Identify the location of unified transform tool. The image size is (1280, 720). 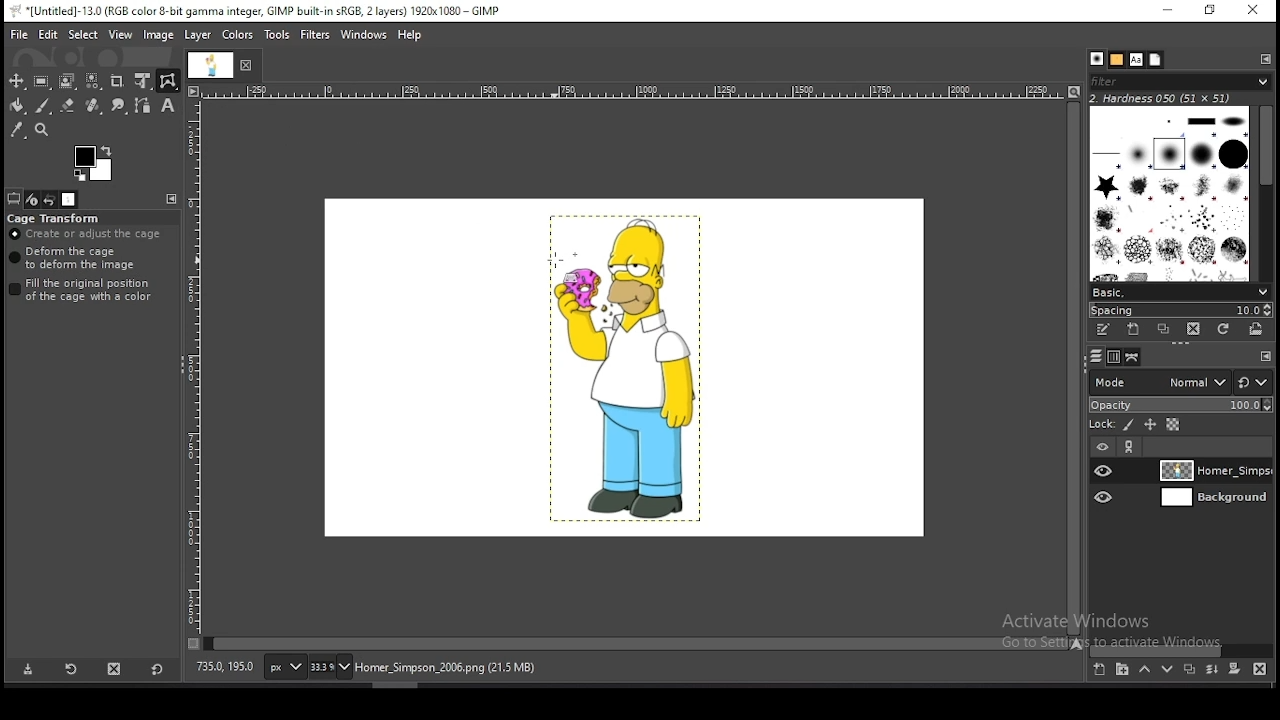
(143, 81).